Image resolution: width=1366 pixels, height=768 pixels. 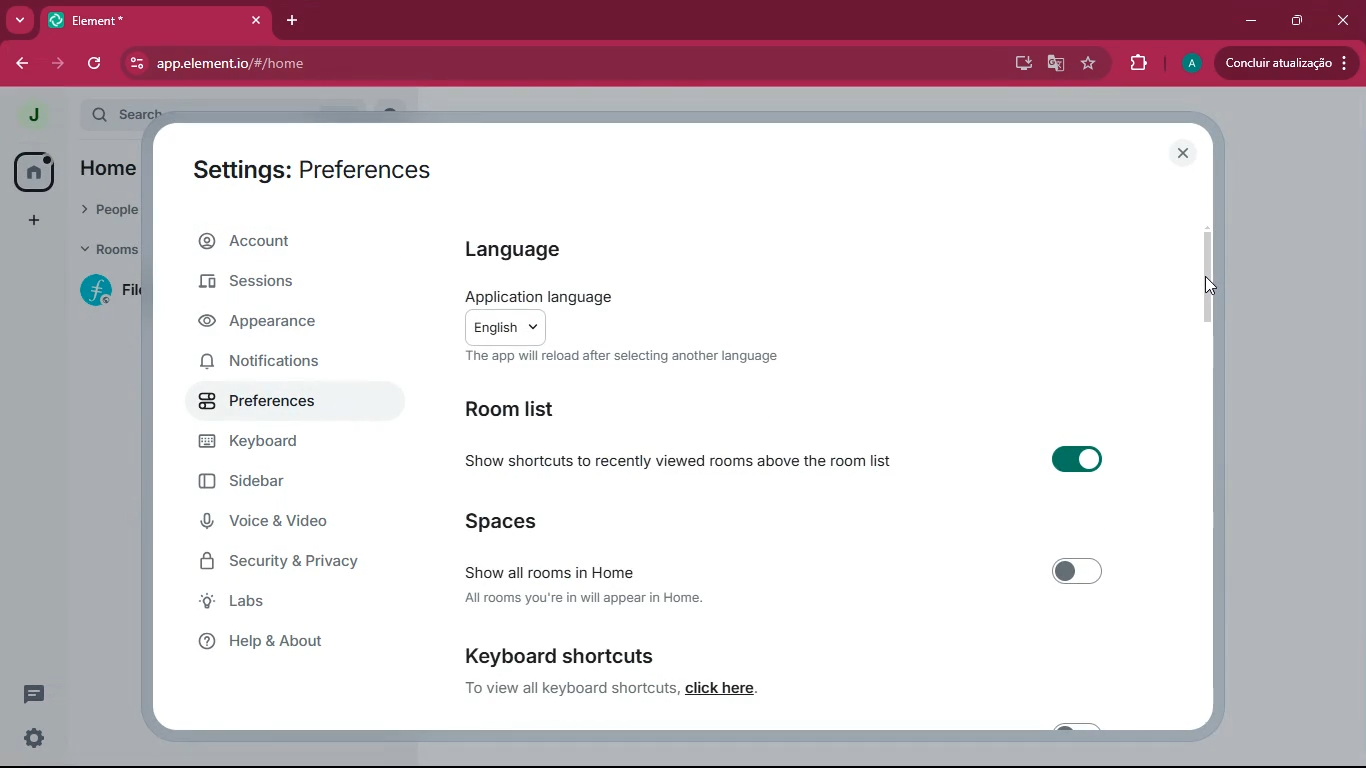 I want to click on language, so click(x=511, y=247).